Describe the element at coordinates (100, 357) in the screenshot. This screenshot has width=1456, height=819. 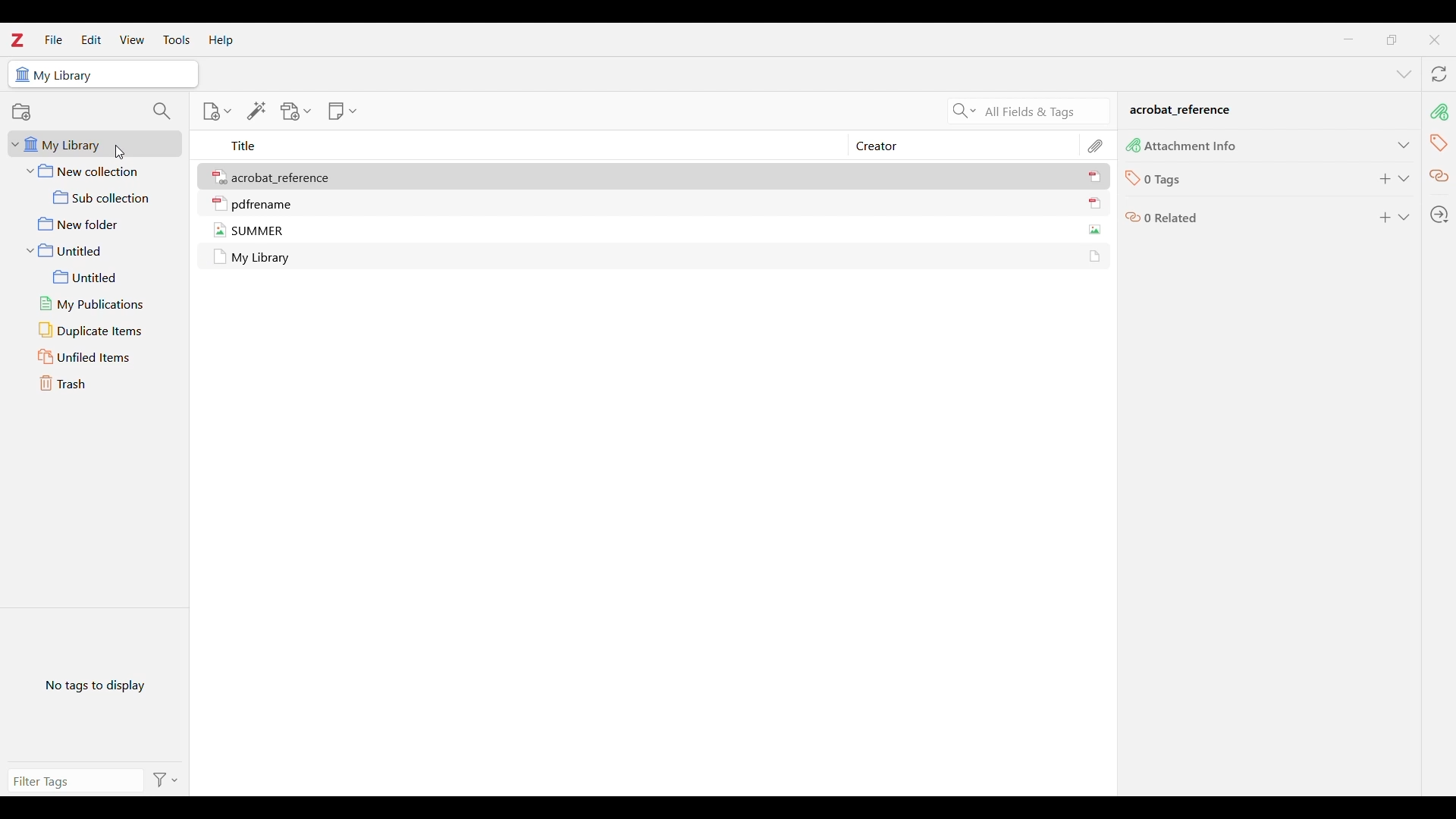
I see `Unfiled items folder` at that location.